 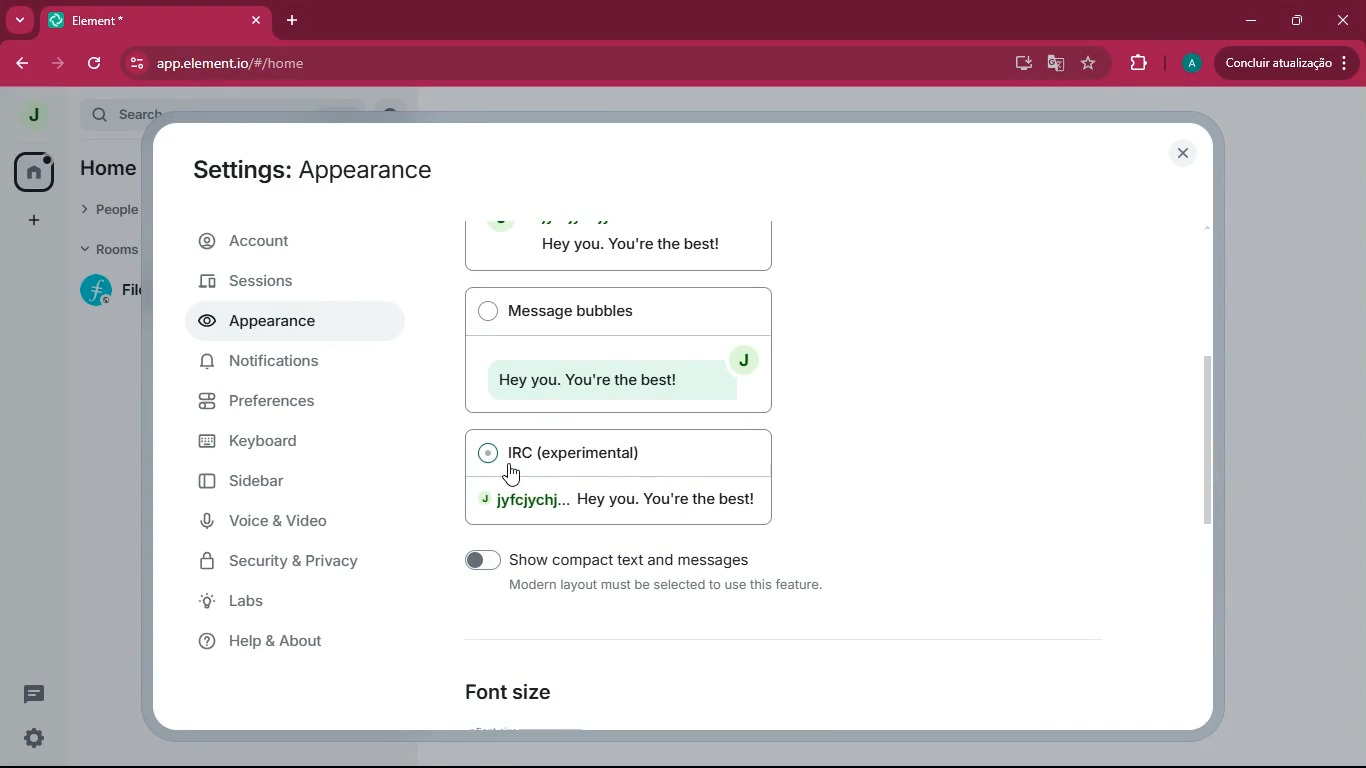 What do you see at coordinates (298, 487) in the screenshot?
I see `sidebar` at bounding box center [298, 487].